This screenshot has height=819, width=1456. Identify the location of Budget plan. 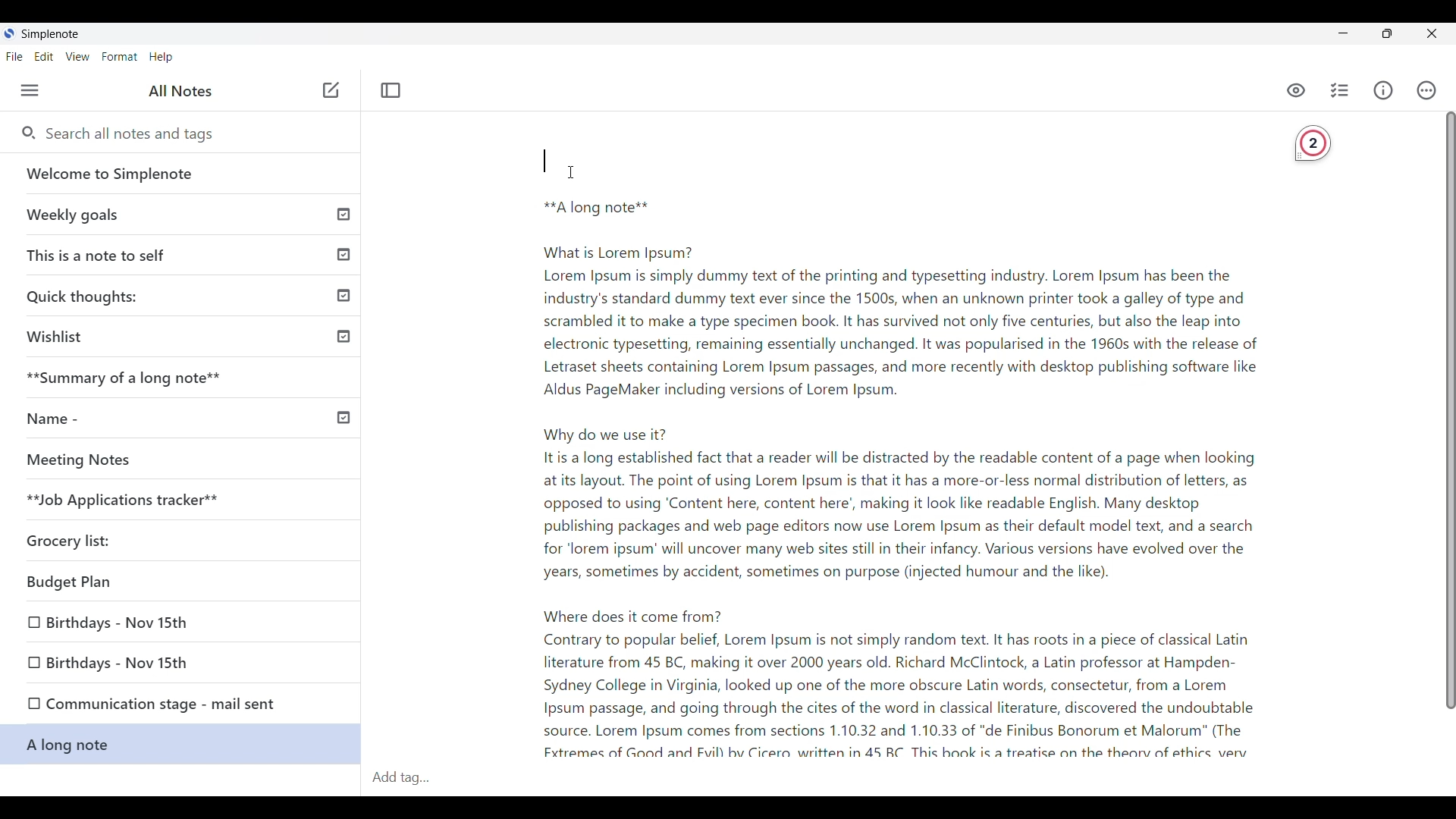
(127, 585).